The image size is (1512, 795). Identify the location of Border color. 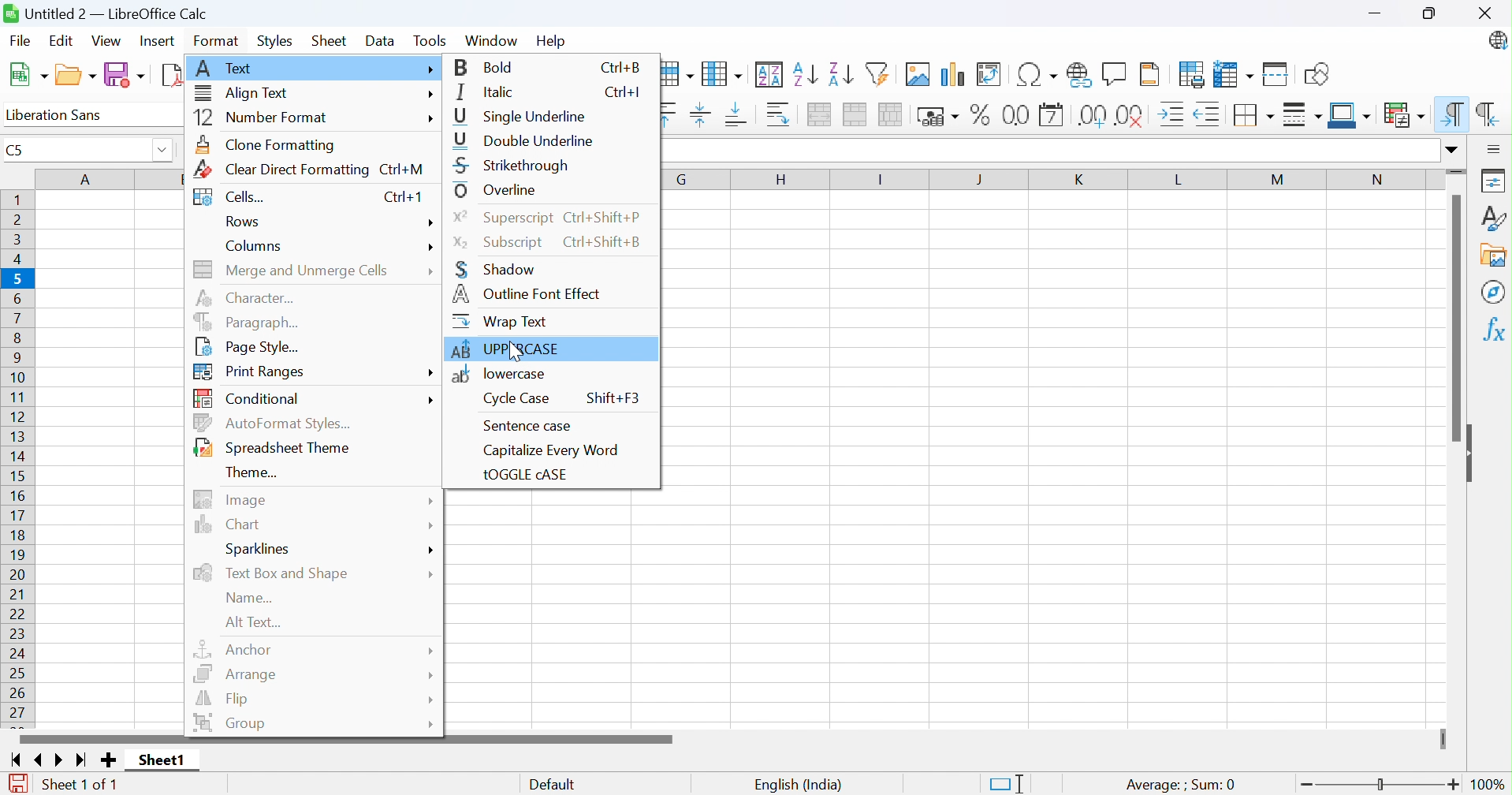
(1350, 117).